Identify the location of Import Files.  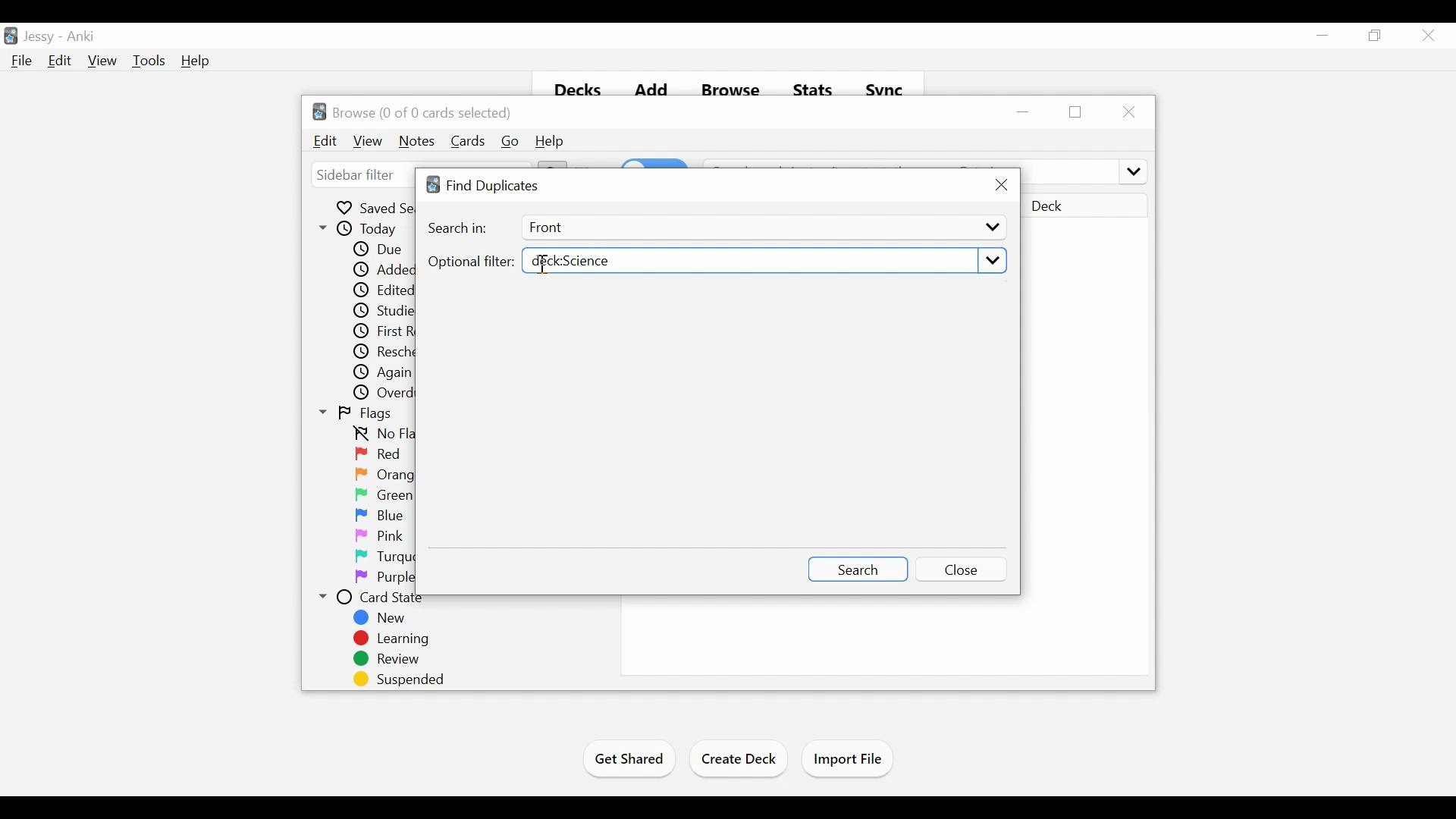
(847, 759).